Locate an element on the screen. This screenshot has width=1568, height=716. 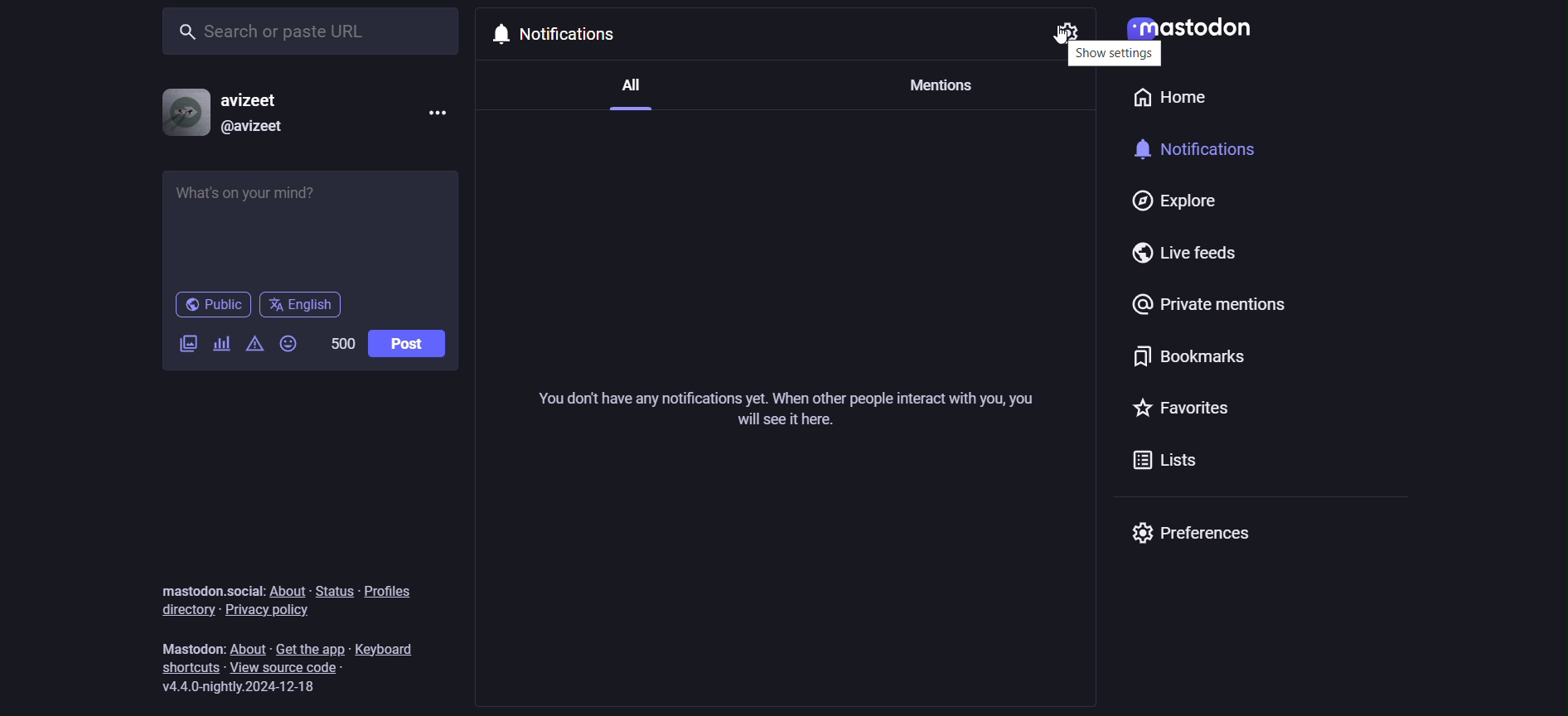
whats on your mind is located at coordinates (312, 226).